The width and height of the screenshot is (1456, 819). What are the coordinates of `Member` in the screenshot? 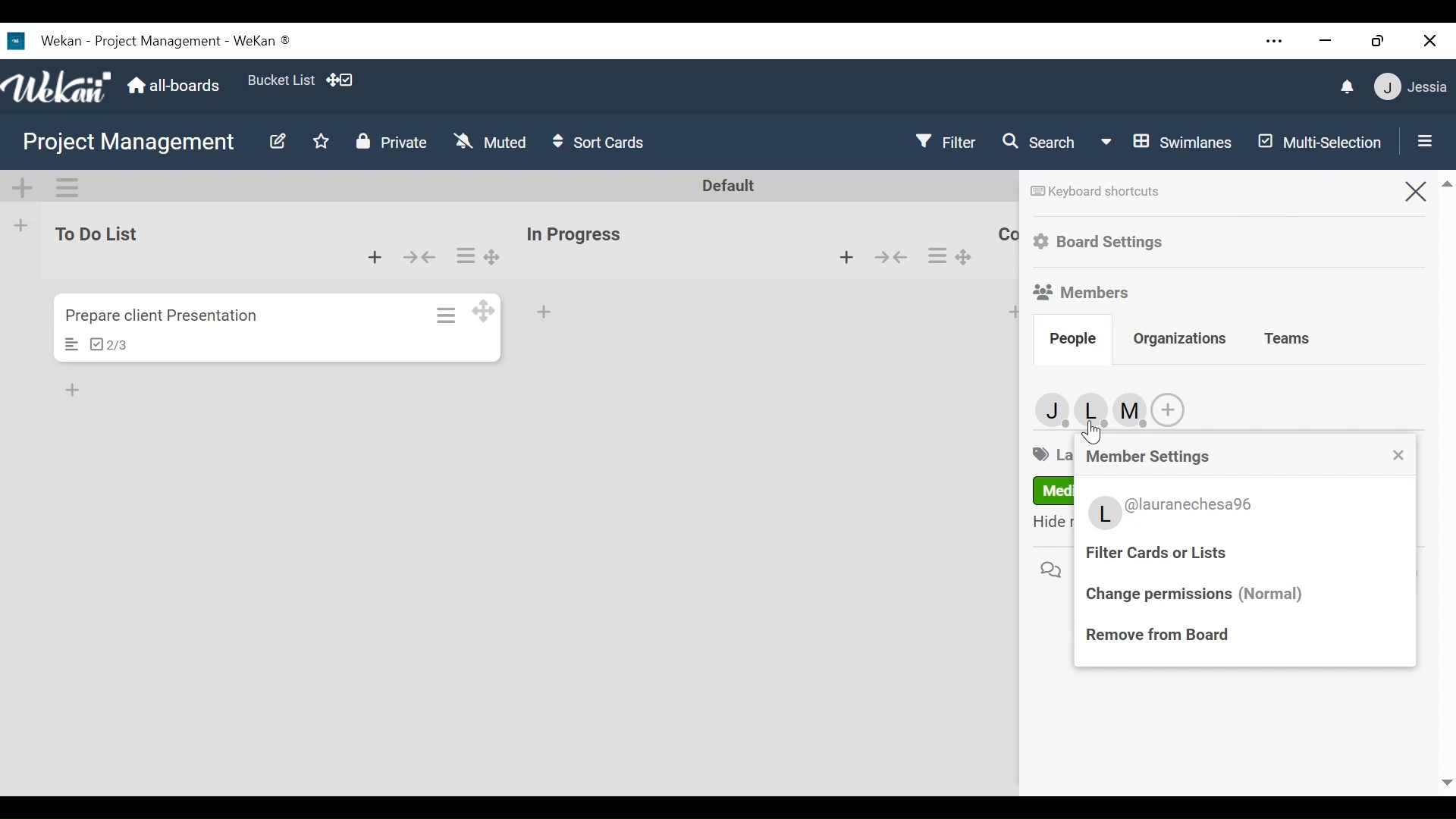 It's located at (1413, 86).